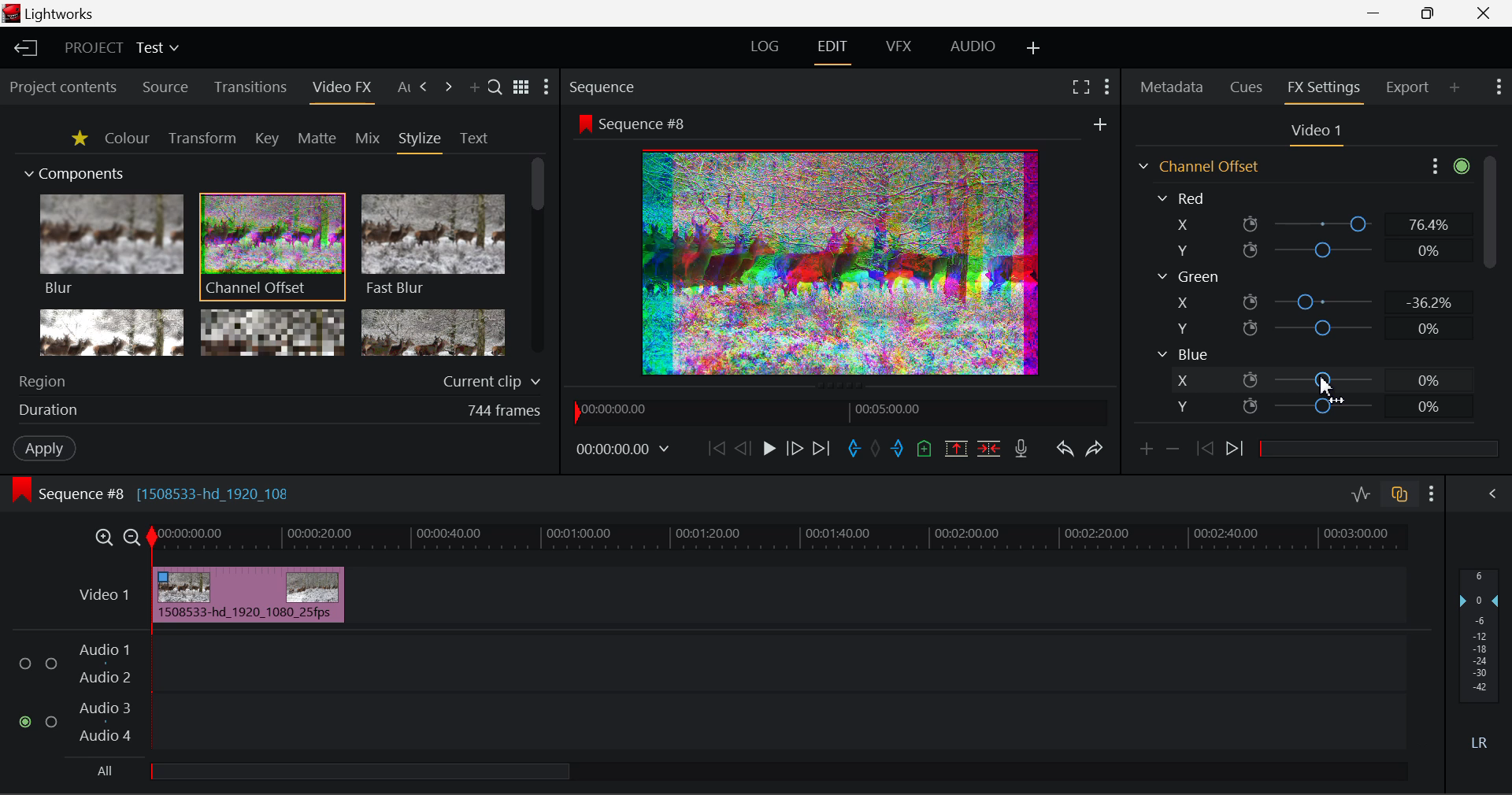 This screenshot has width=1512, height=795. I want to click on Show Settings, so click(1431, 494).